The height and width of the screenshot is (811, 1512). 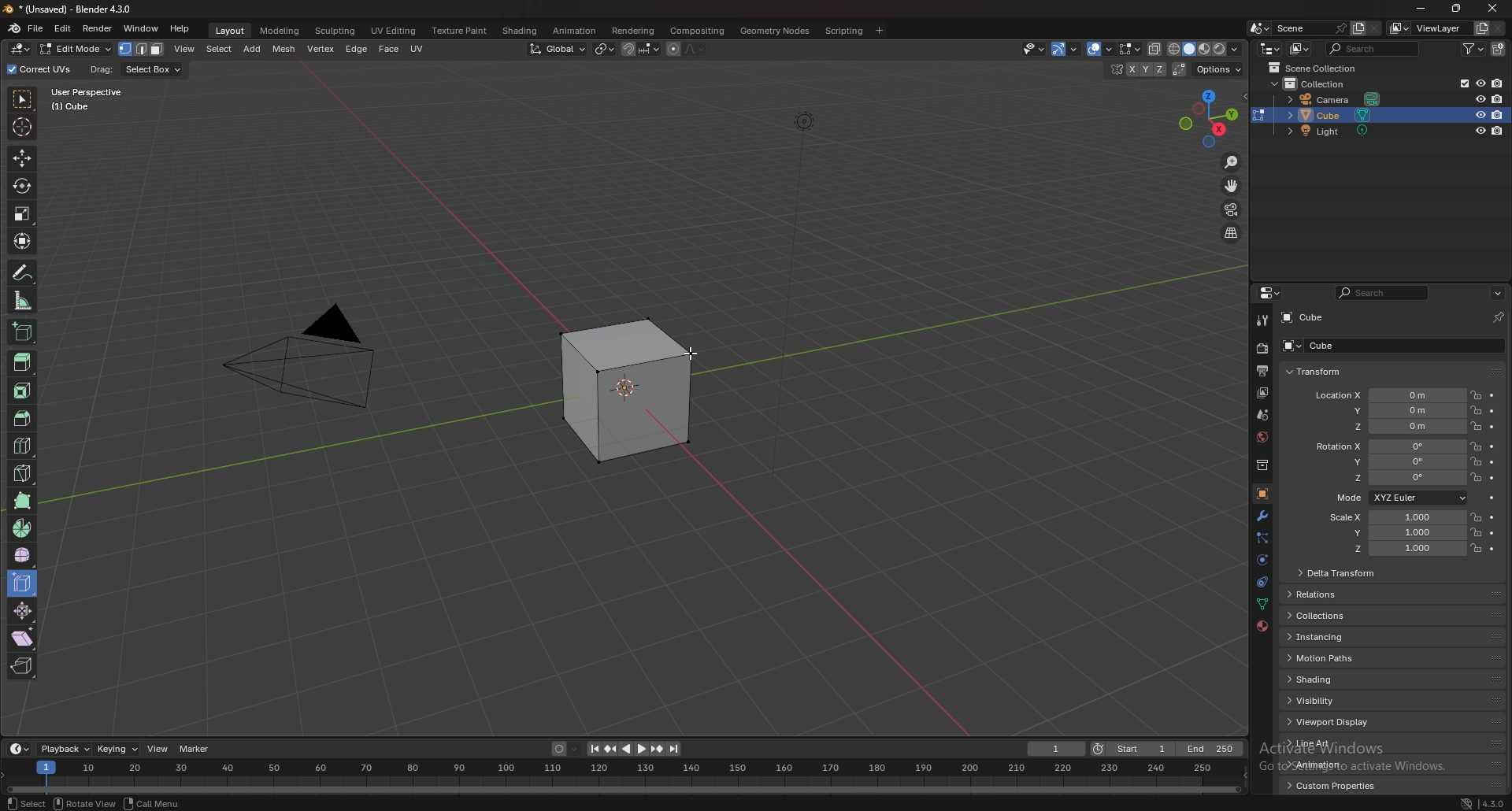 I want to click on animate property, so click(x=1492, y=412).